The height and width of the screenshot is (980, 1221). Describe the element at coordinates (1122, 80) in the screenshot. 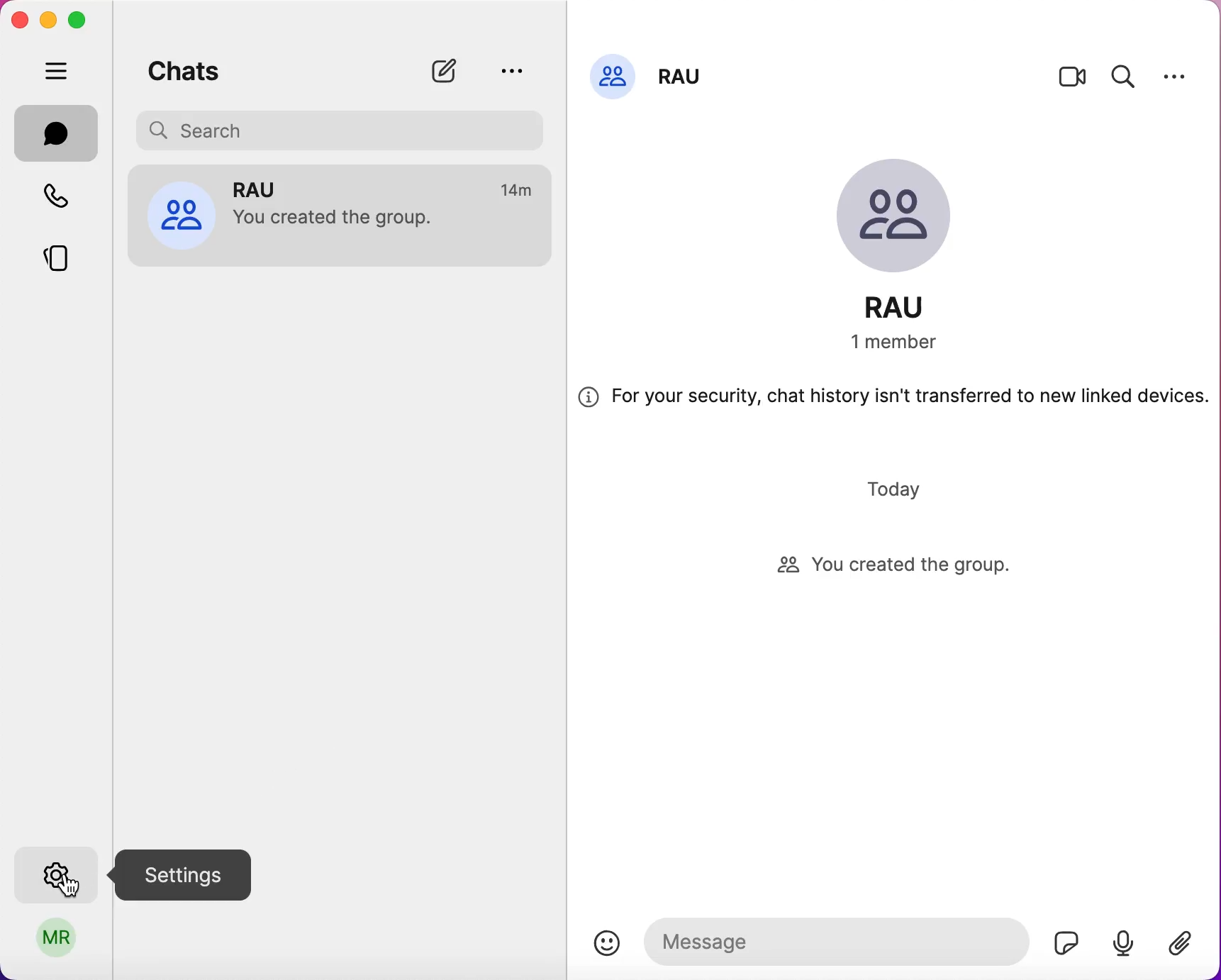

I see `search` at that location.